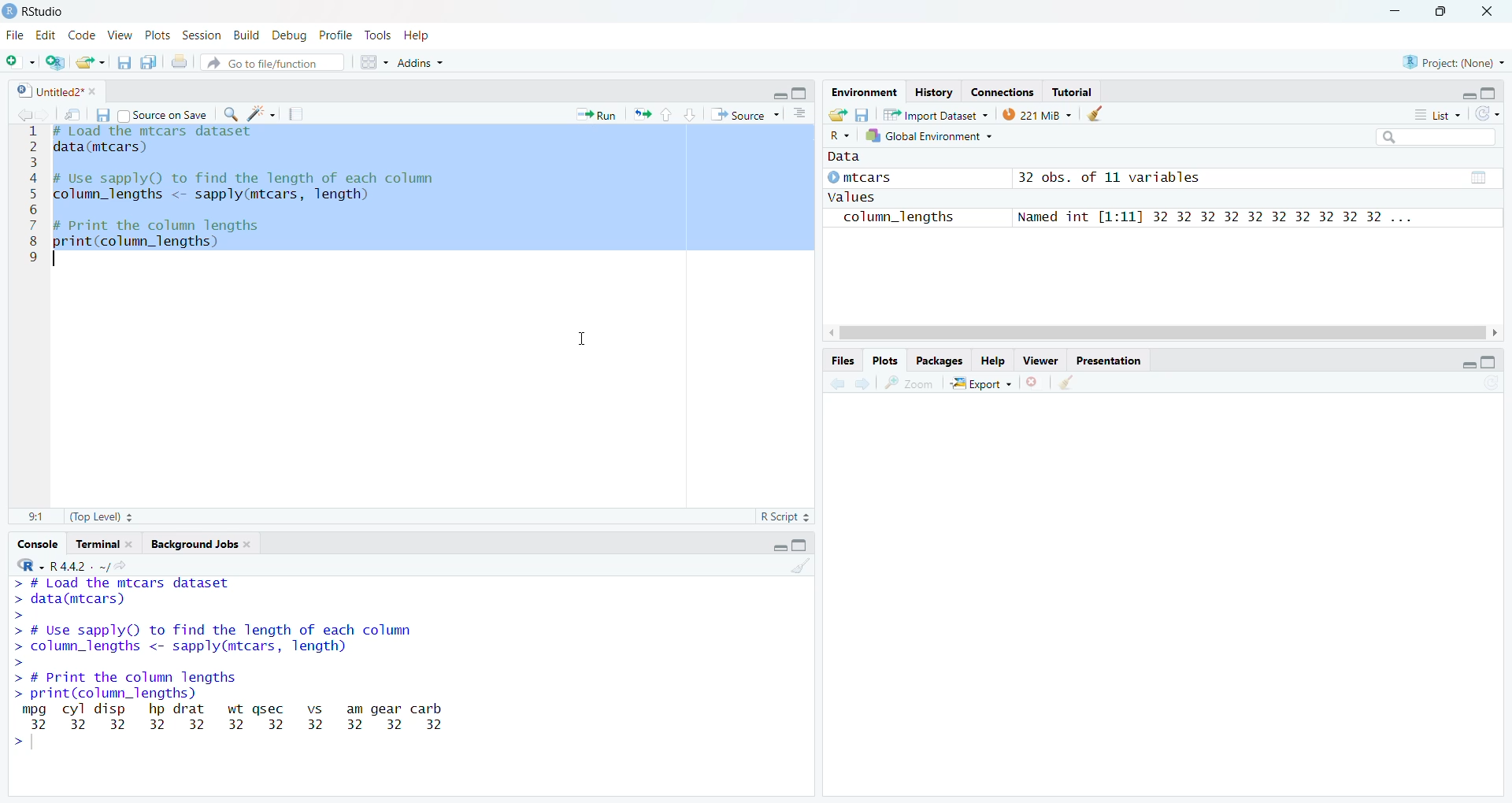 The width and height of the screenshot is (1512, 803). I want to click on Go to next section, so click(690, 114).